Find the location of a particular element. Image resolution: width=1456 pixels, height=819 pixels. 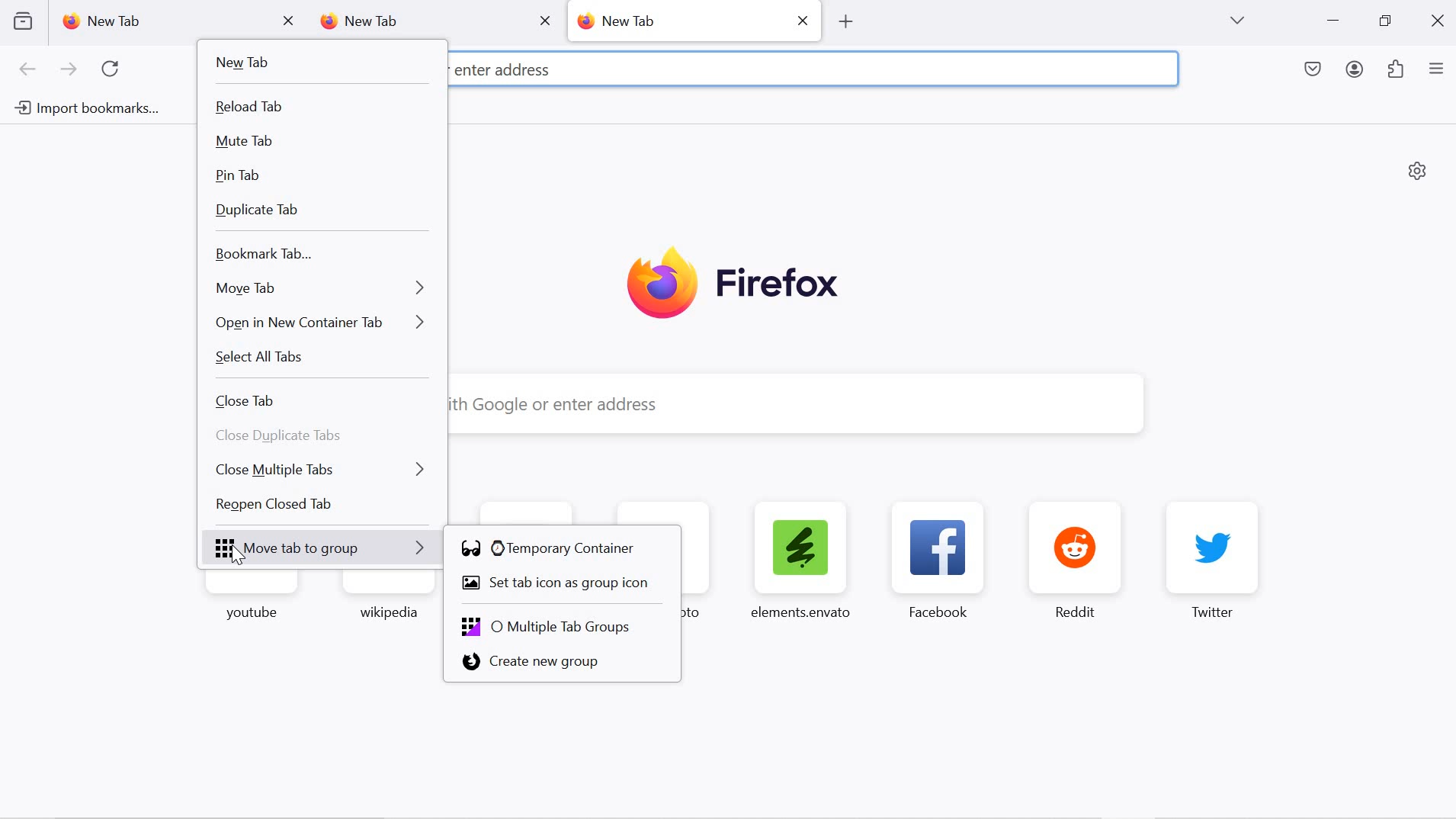

minimize is located at coordinates (1333, 22).